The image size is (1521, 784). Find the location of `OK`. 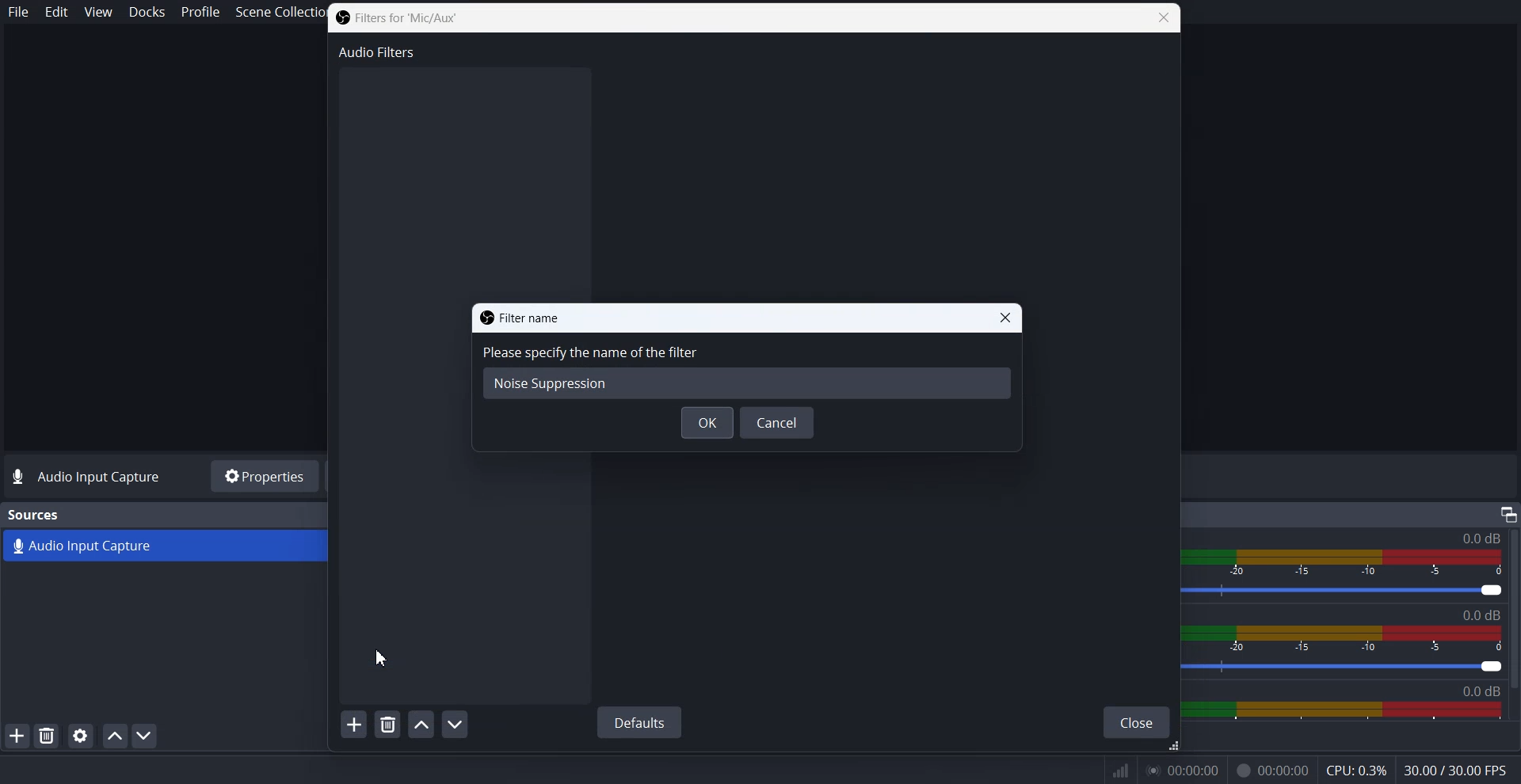

OK is located at coordinates (707, 421).